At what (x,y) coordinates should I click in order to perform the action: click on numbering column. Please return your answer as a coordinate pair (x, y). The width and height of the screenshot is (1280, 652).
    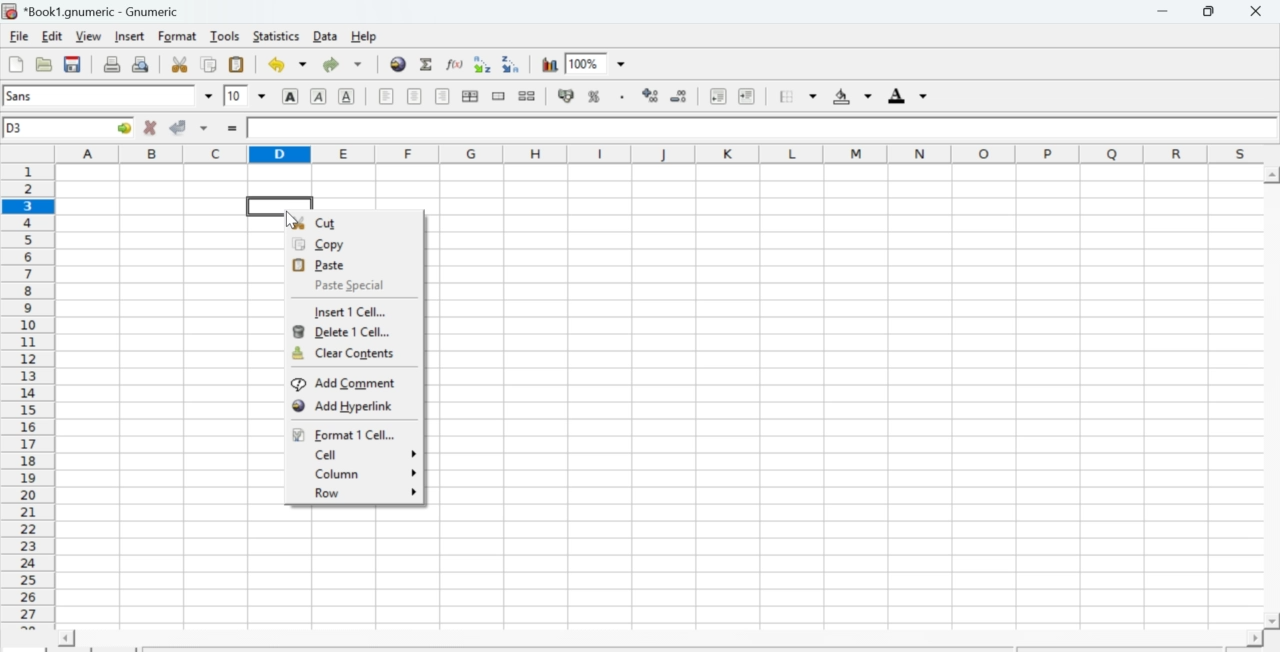
    Looking at the image, I should click on (30, 396).